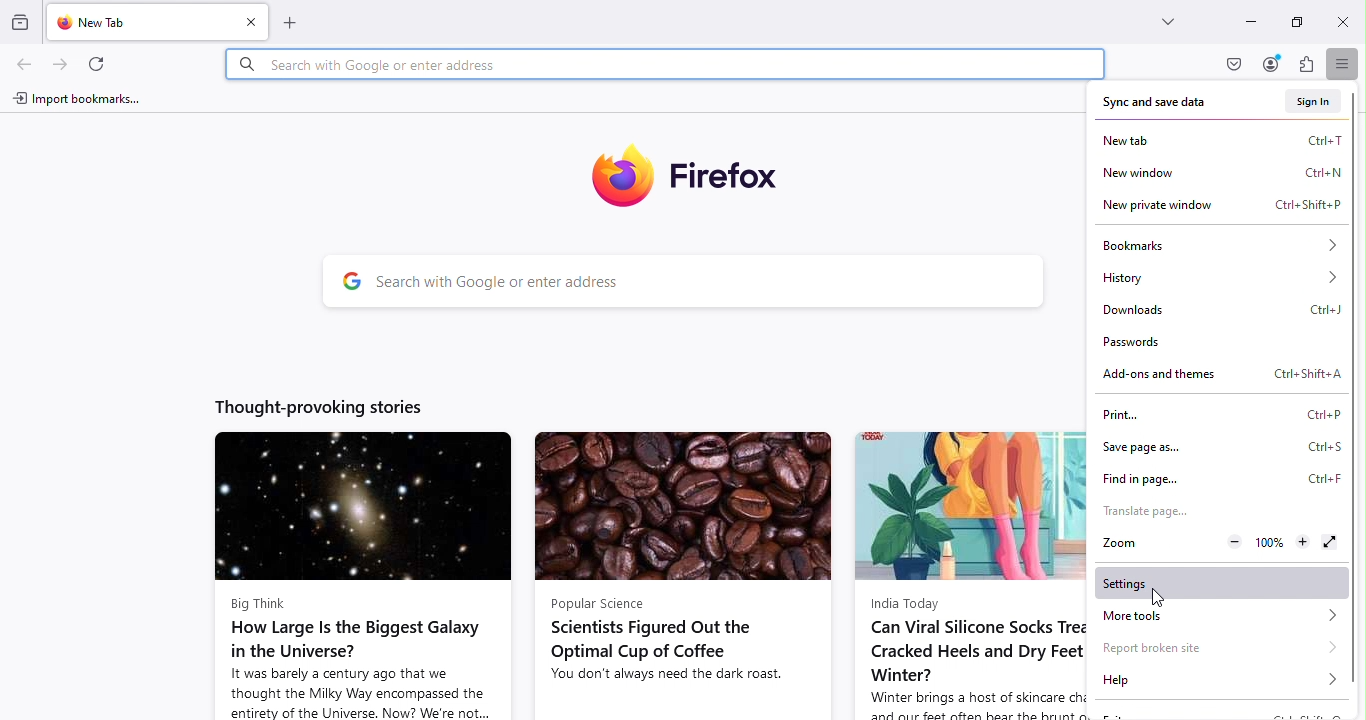 Image resolution: width=1366 pixels, height=720 pixels. I want to click on Open a new tab, so click(300, 22).